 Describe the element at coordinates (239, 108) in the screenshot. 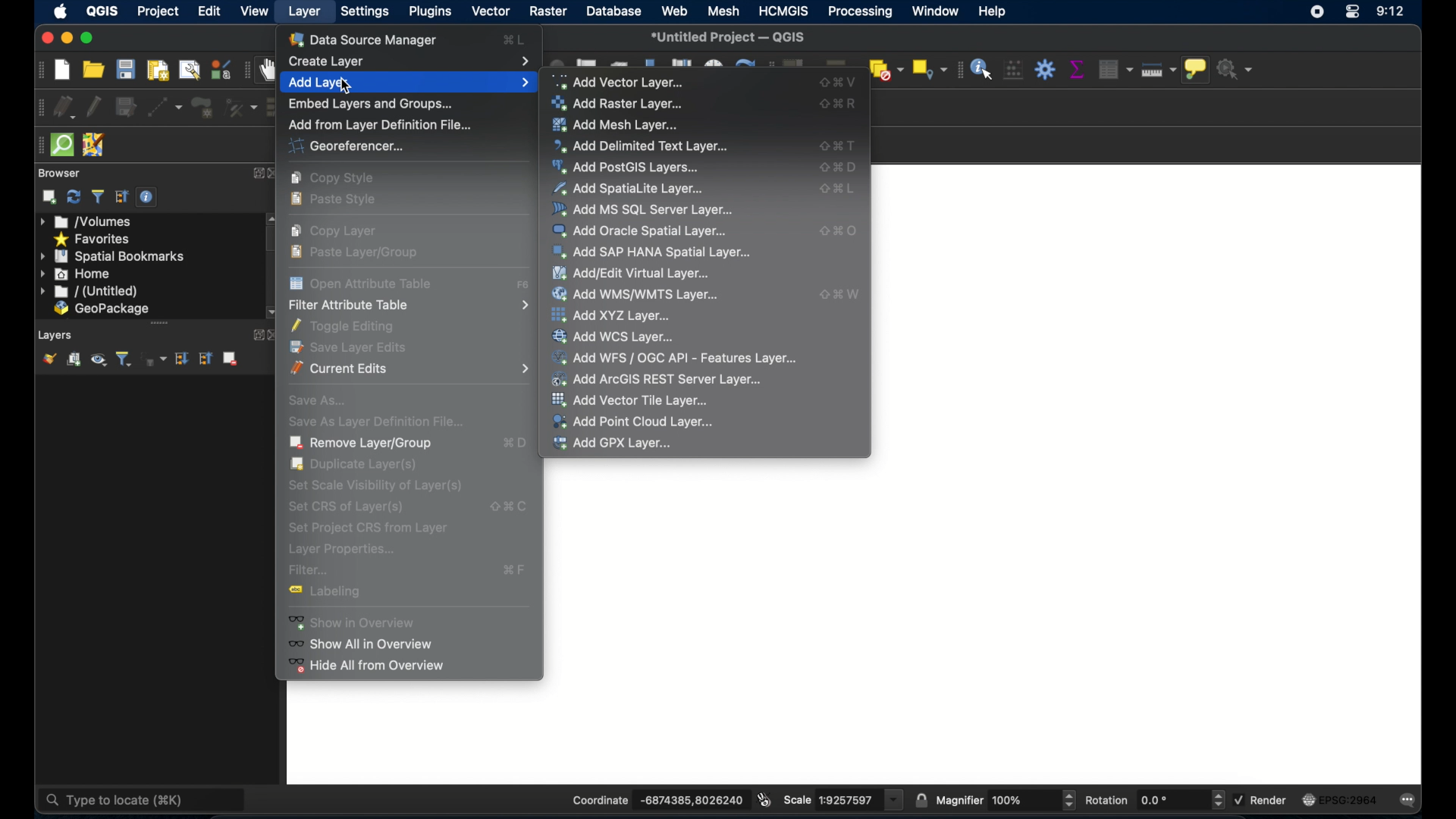

I see `vertex tool` at that location.